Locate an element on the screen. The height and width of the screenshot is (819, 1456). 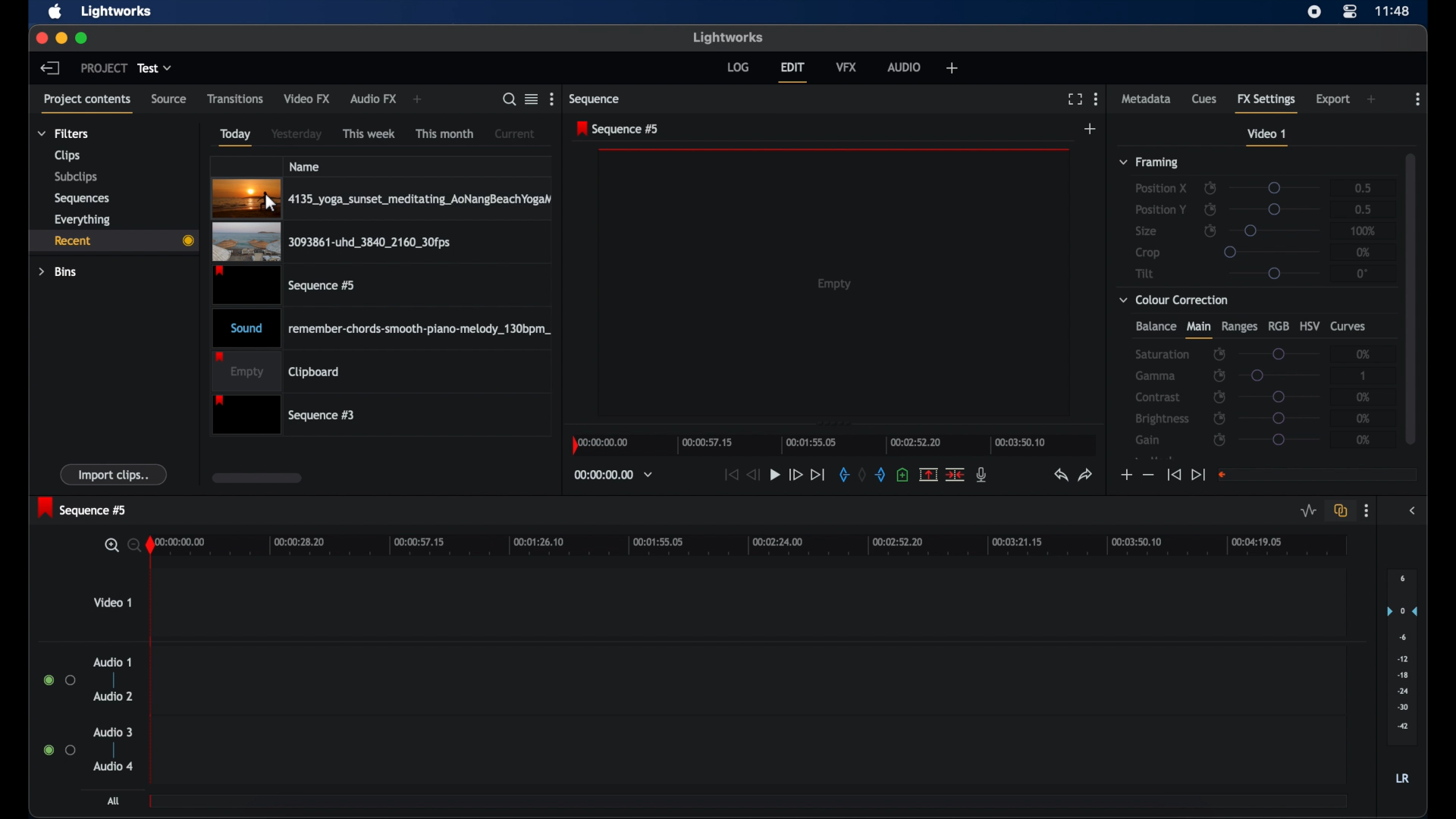
0.5 is located at coordinates (1362, 209).